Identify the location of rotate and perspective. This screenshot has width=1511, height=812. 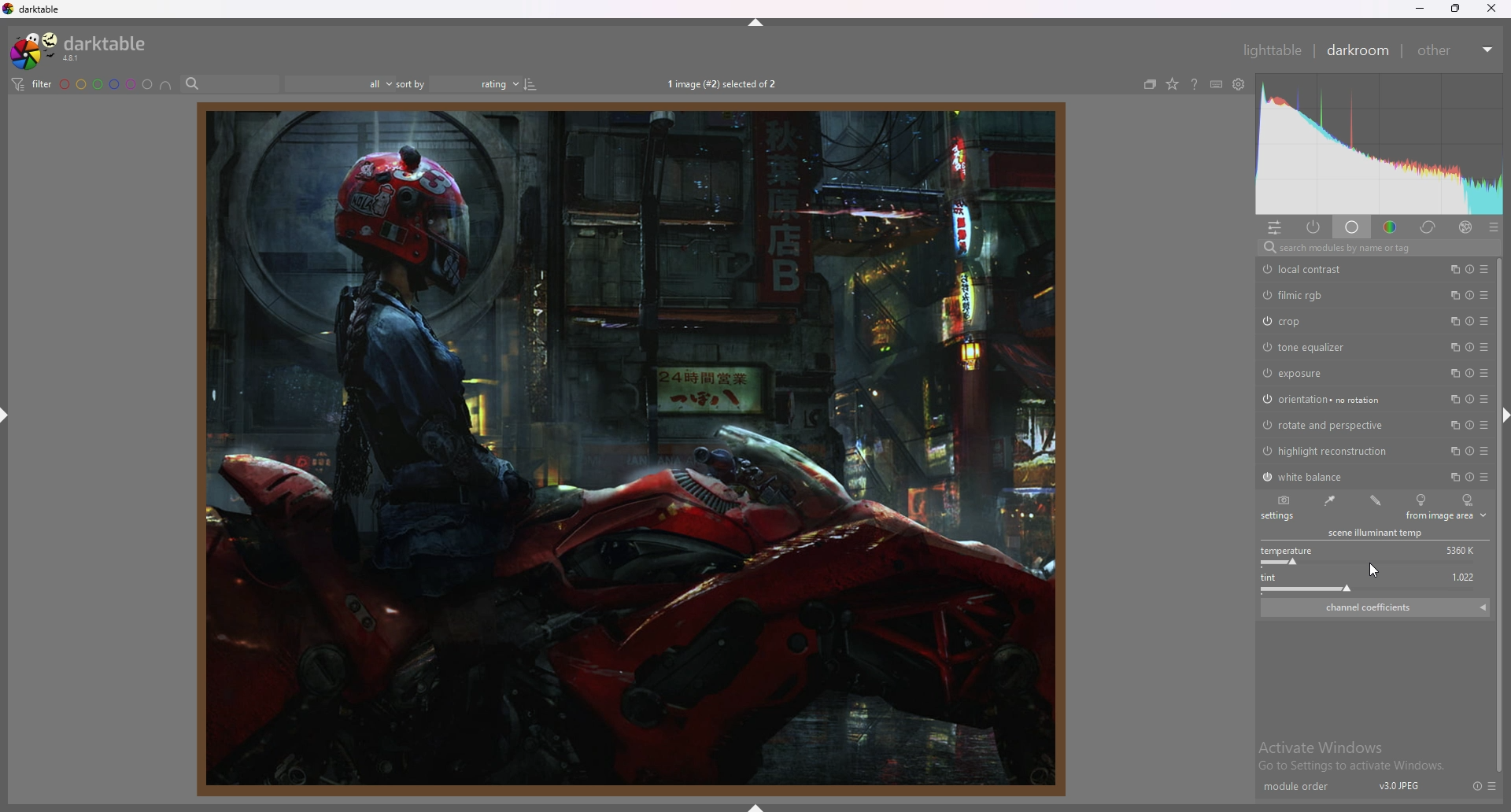
(1326, 426).